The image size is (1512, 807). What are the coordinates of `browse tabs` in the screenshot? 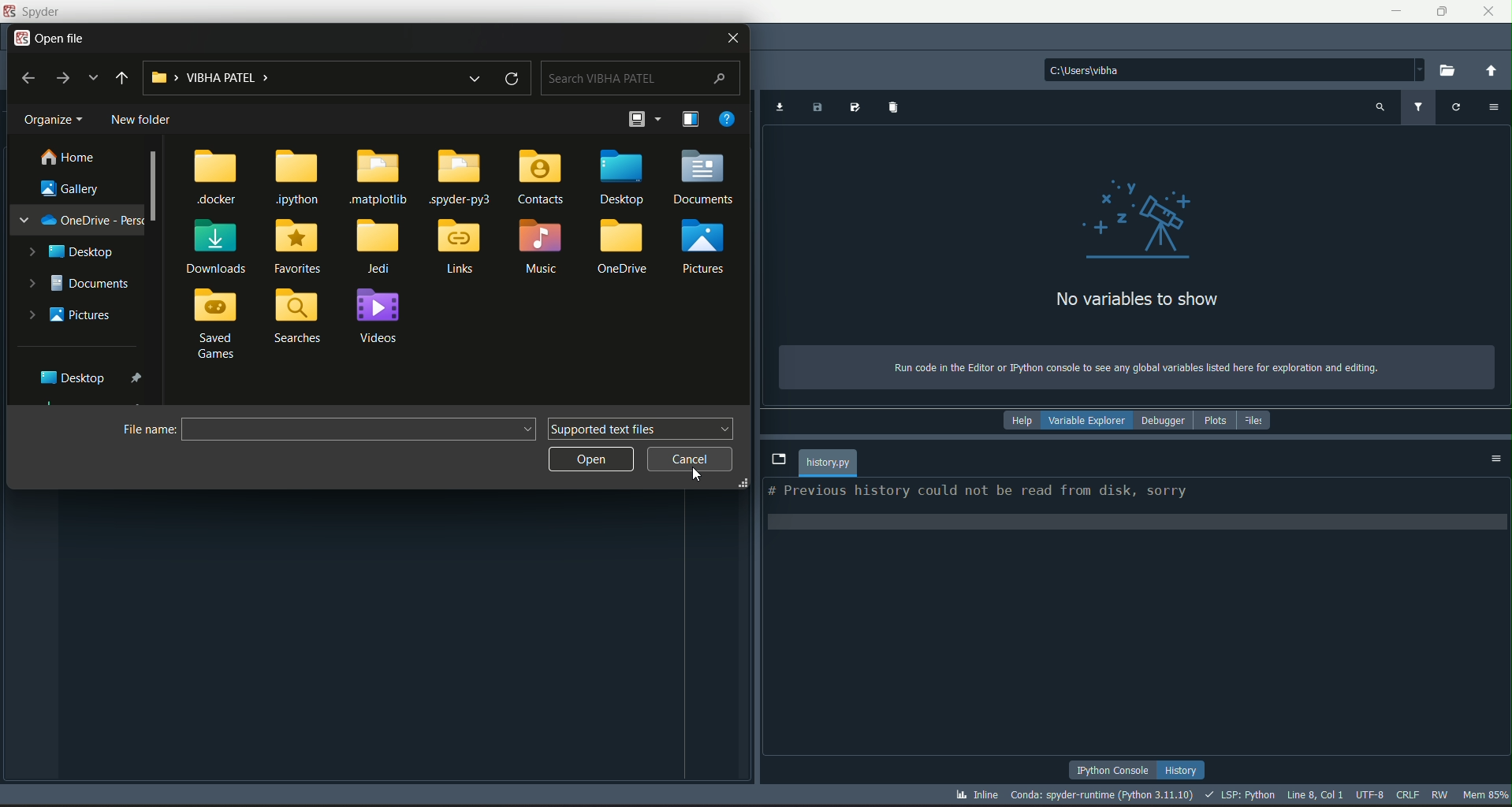 It's located at (778, 460).